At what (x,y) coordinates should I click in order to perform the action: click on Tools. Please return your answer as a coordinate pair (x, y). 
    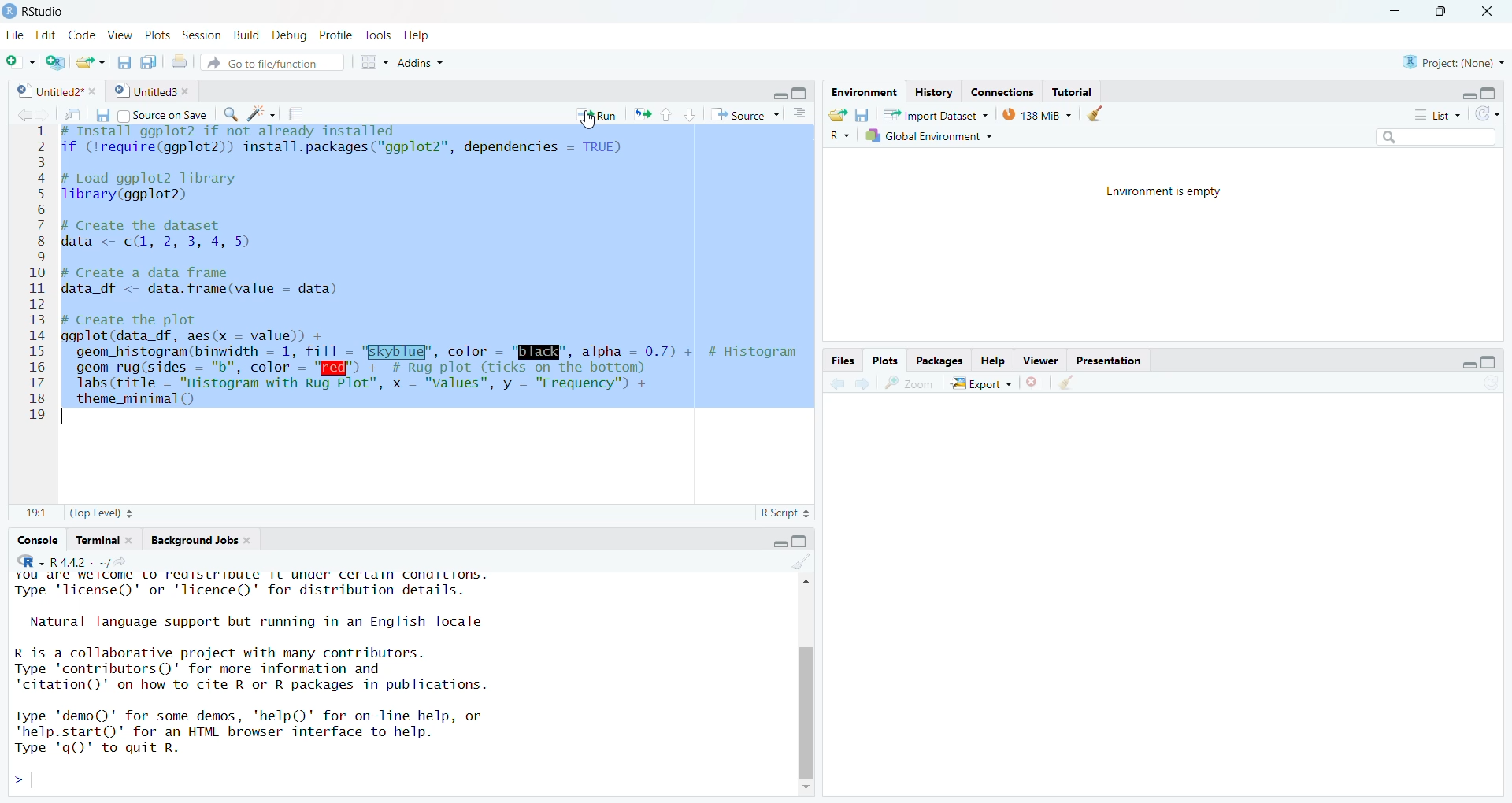
    Looking at the image, I should click on (375, 33).